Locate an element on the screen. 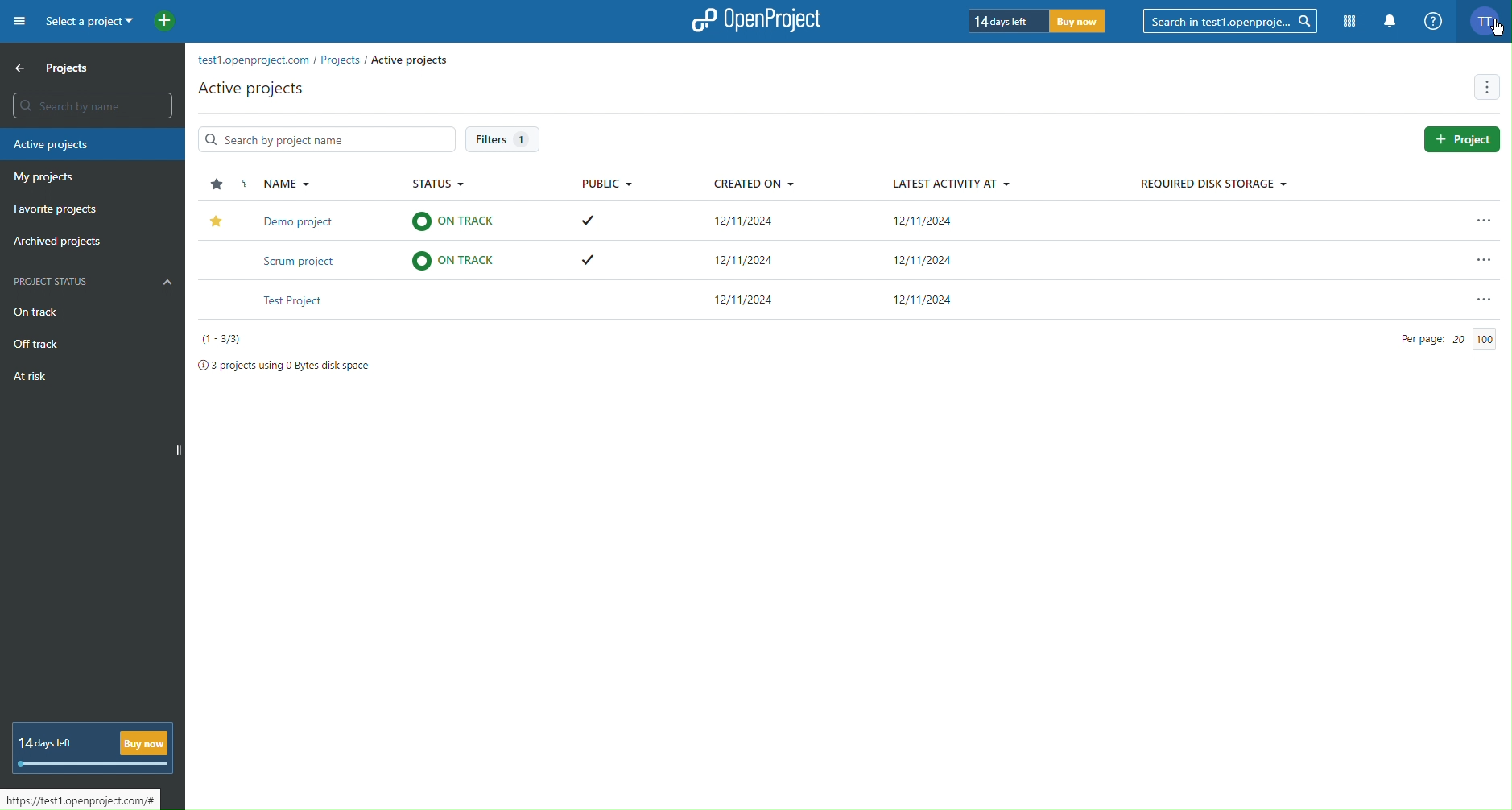 This screenshot has width=1512, height=810. Star is located at coordinates (216, 219).